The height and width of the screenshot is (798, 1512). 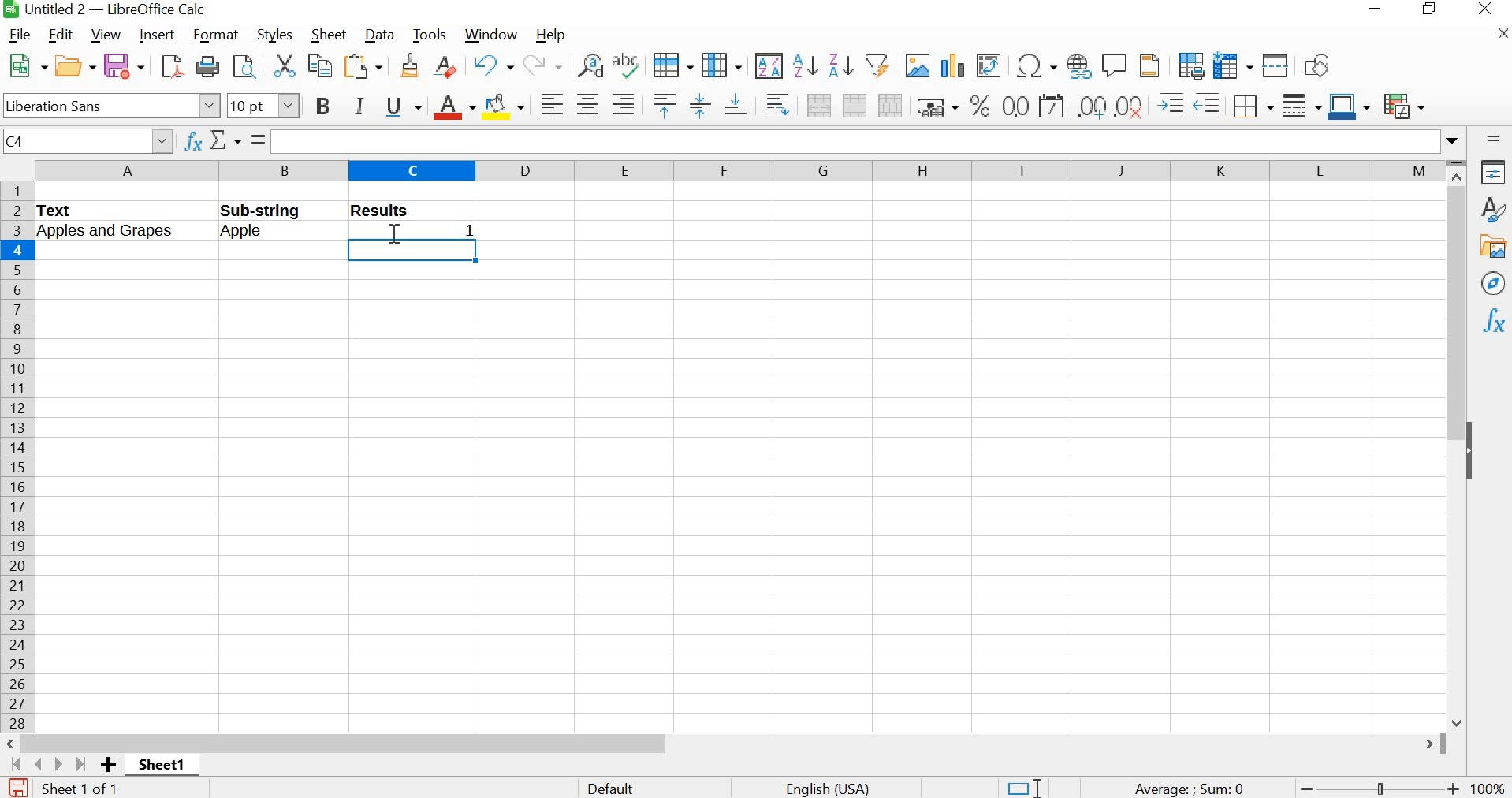 I want to click on border color, so click(x=1349, y=106).